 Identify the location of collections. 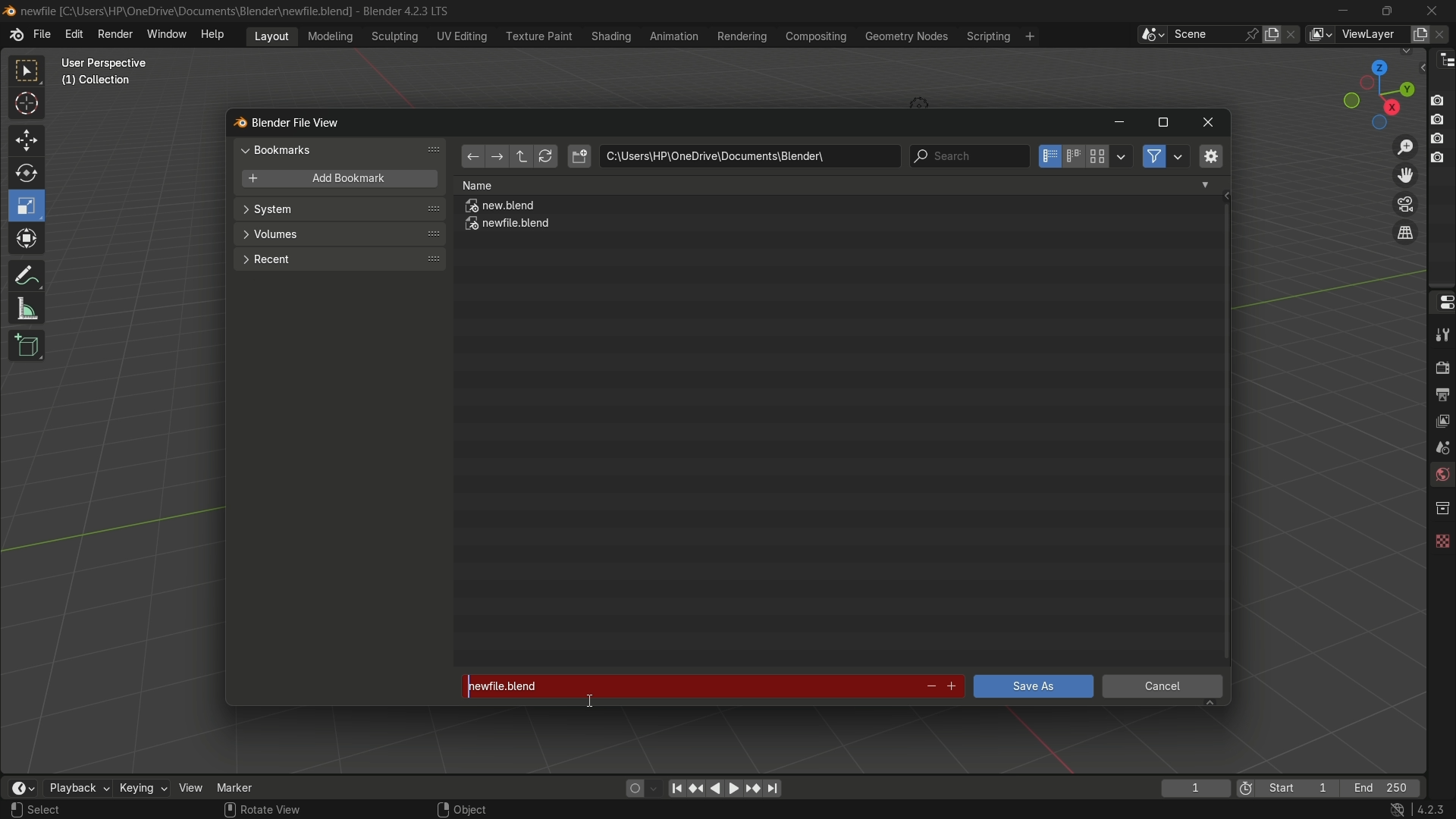
(1442, 508).